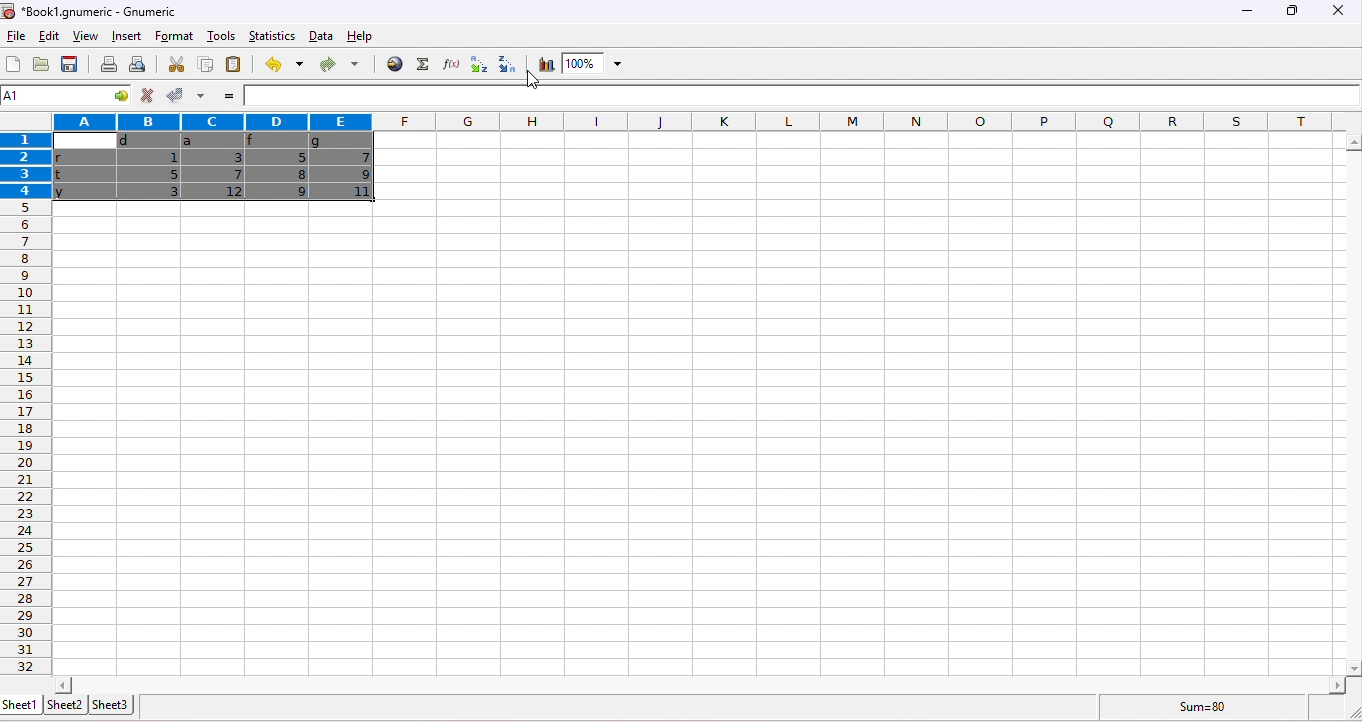 This screenshot has width=1362, height=722. Describe the element at coordinates (272, 35) in the screenshot. I see `statistics` at that location.